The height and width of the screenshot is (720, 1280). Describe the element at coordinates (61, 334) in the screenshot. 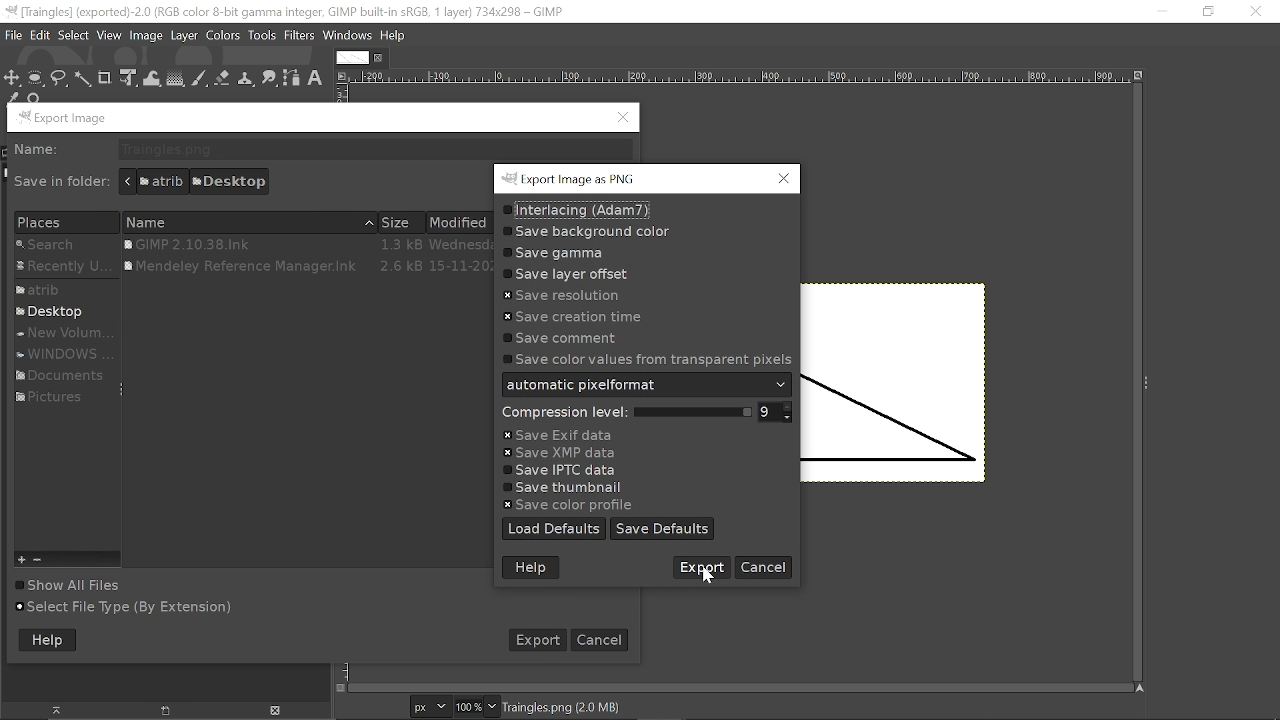

I see `folder` at that location.